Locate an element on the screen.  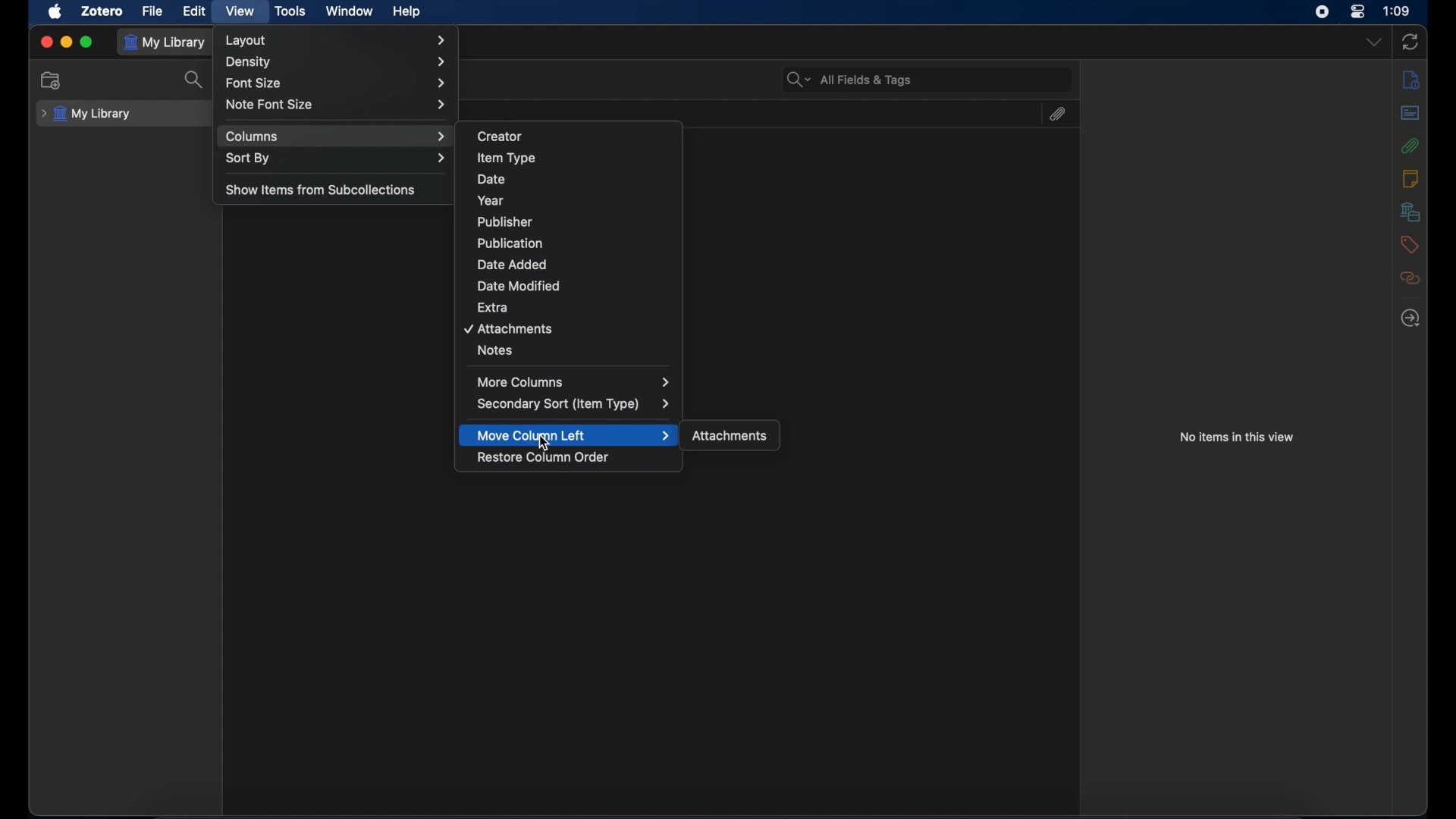
date added is located at coordinates (511, 264).